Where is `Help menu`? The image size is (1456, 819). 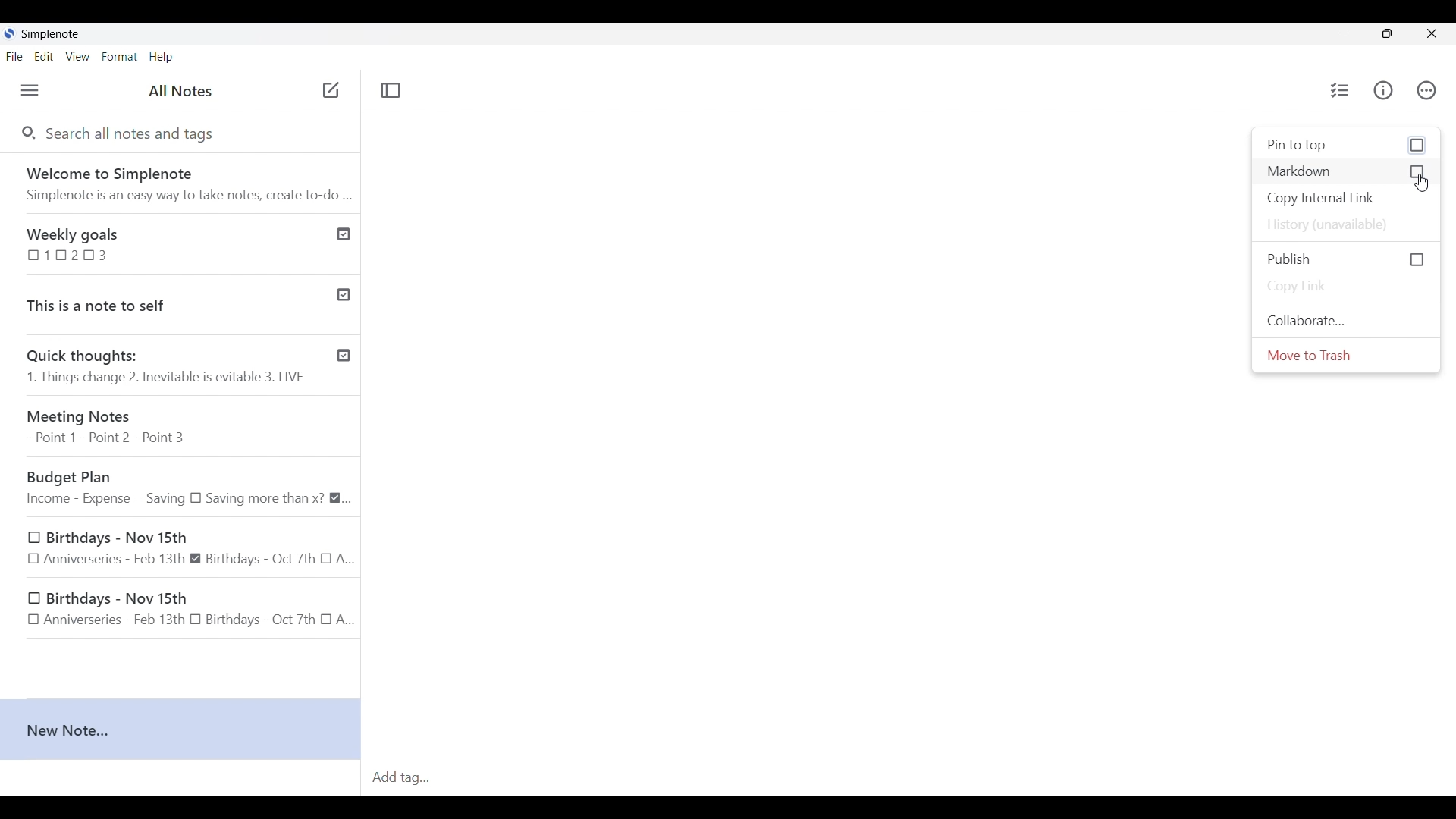
Help menu is located at coordinates (162, 57).